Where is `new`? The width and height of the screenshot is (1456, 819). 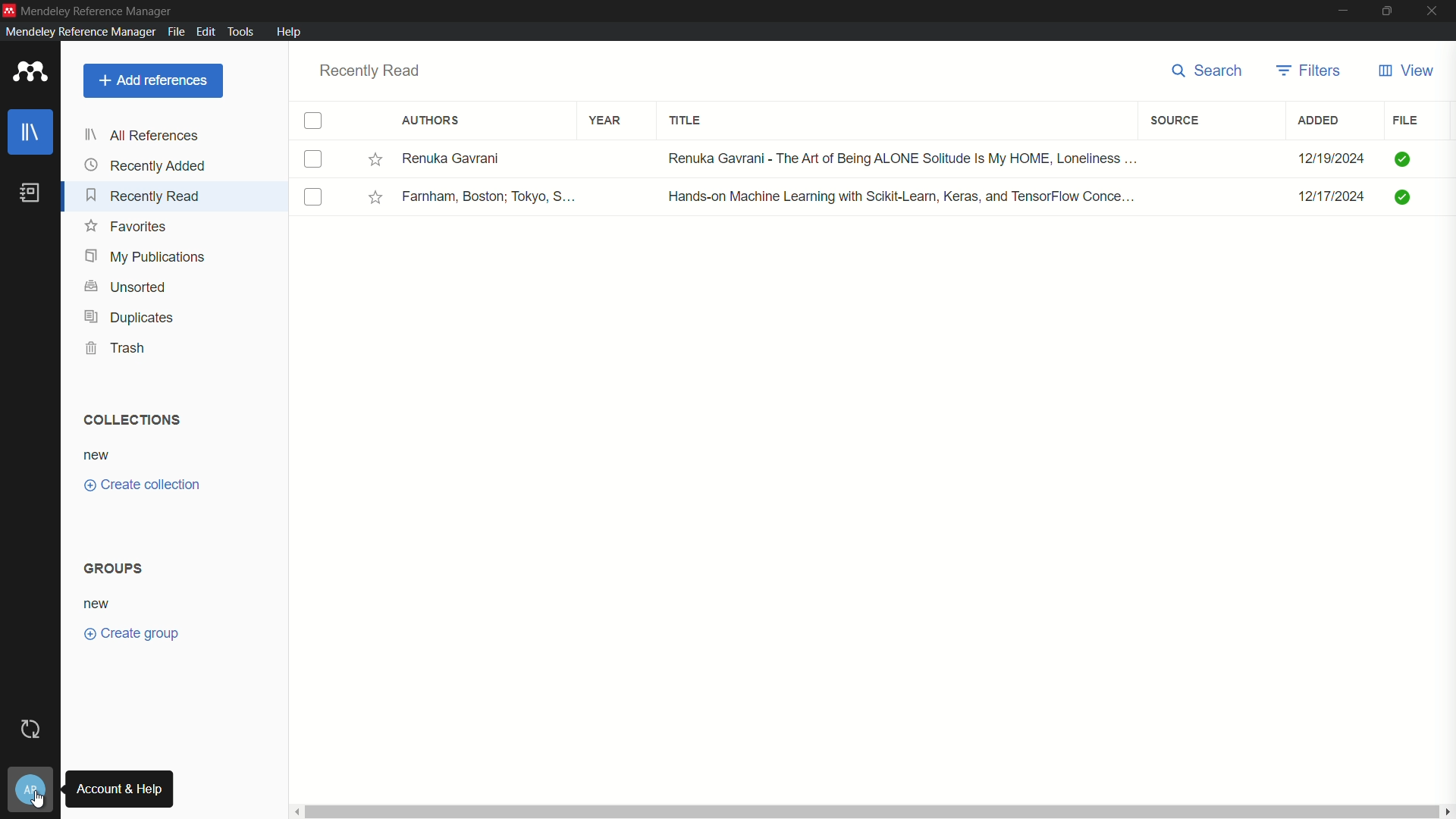 new is located at coordinates (99, 454).